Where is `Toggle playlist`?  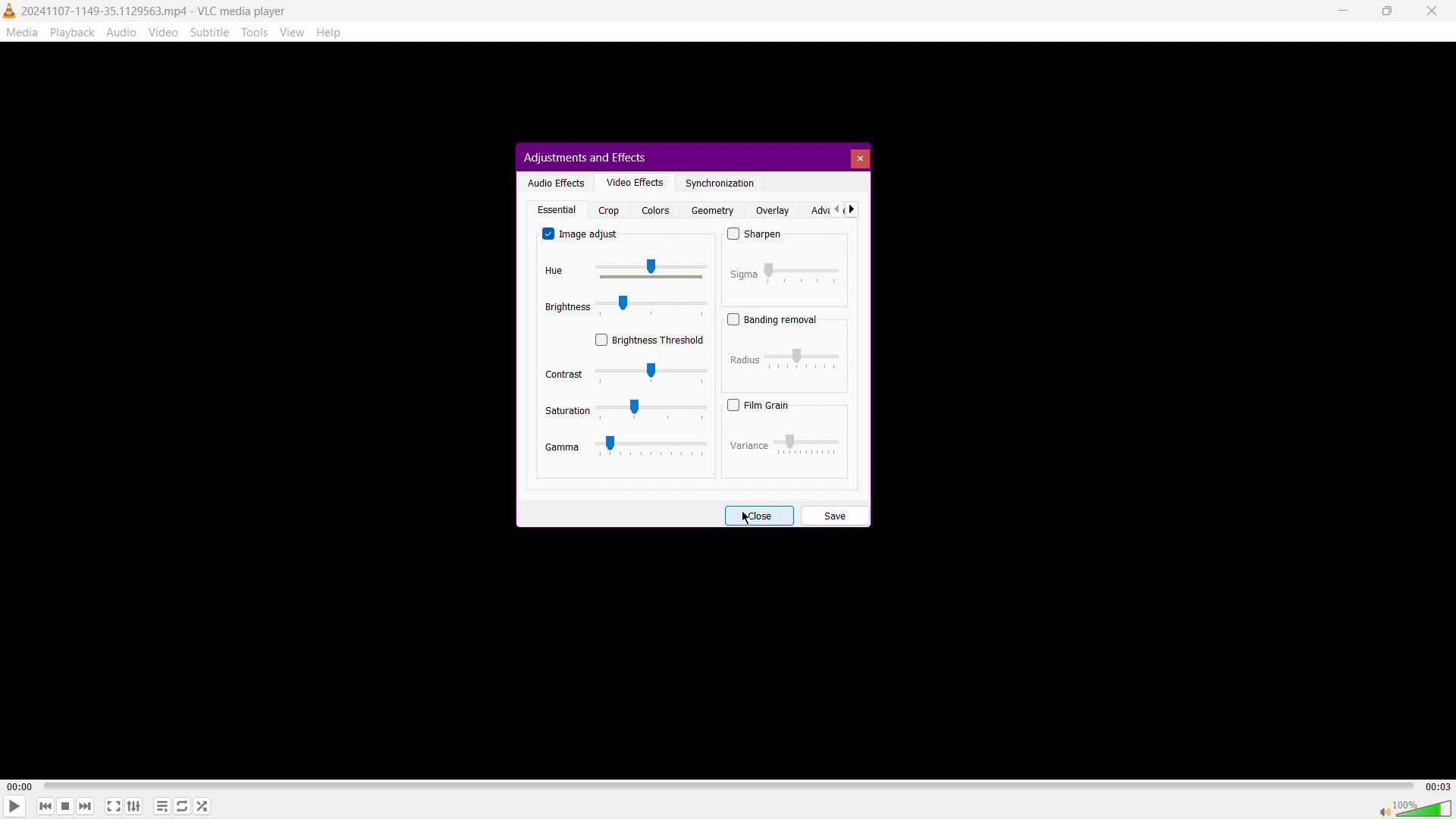 Toggle playlist is located at coordinates (160, 805).